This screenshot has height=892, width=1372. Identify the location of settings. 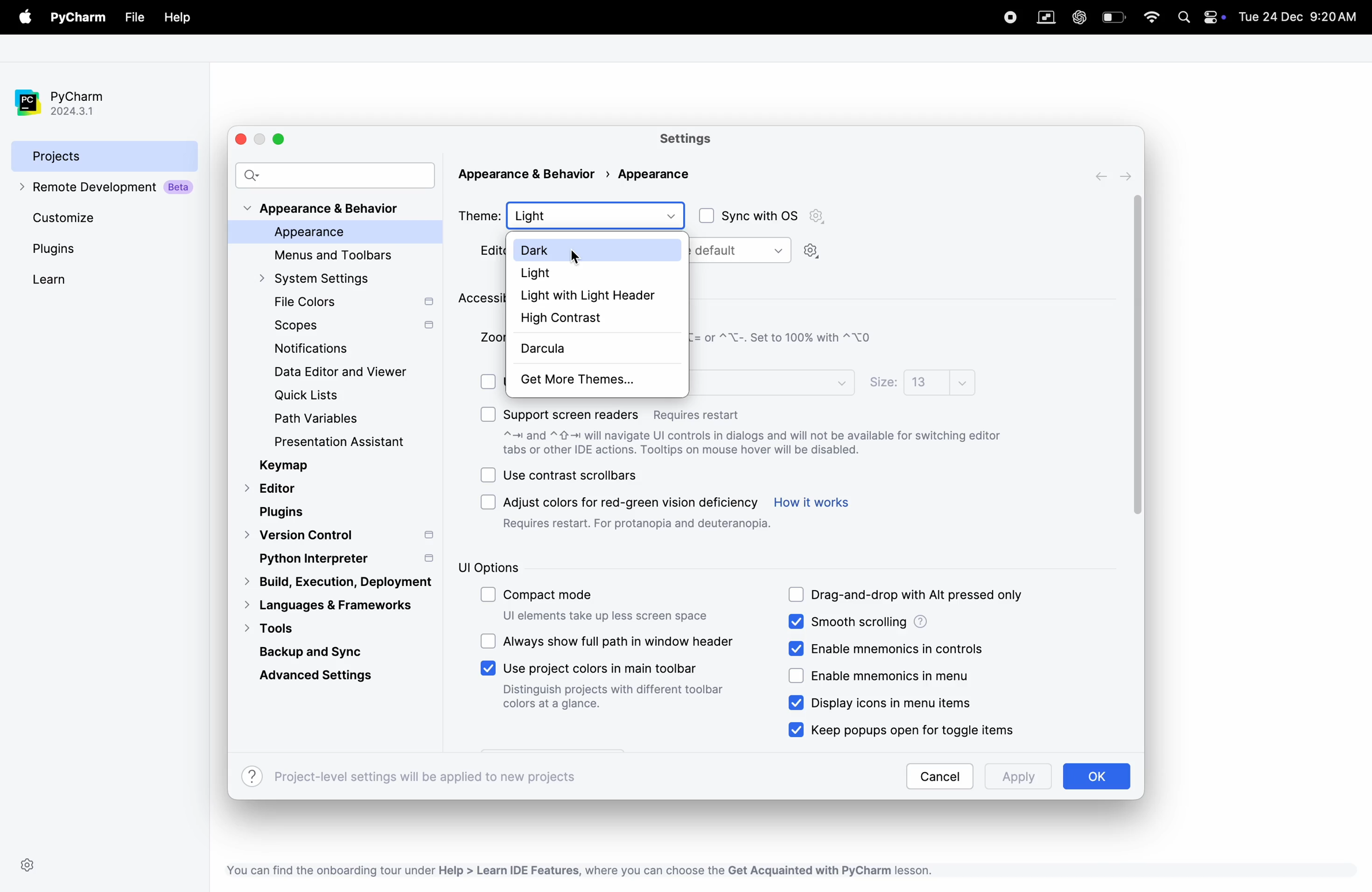
(28, 865).